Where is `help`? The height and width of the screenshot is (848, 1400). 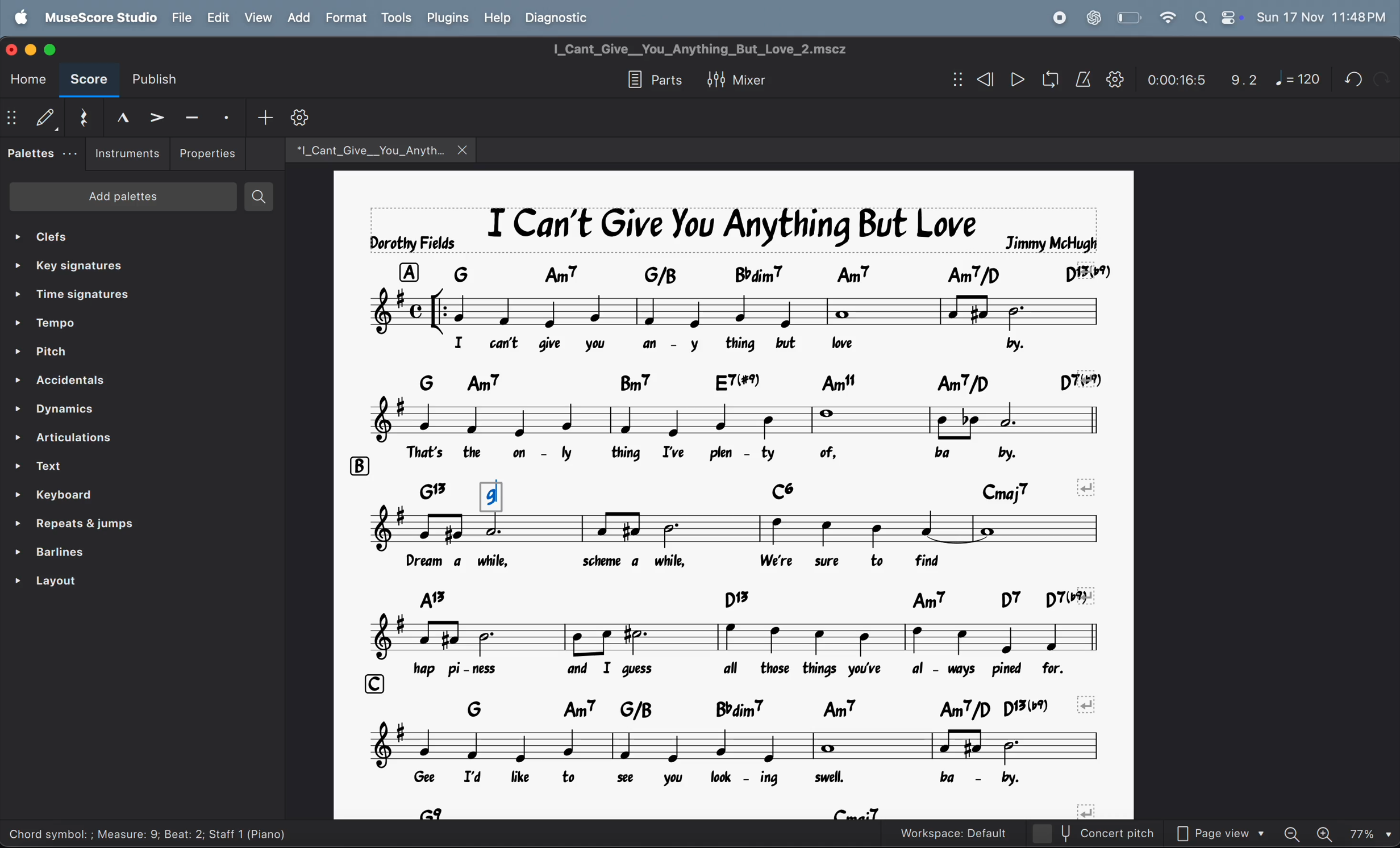 help is located at coordinates (498, 18).